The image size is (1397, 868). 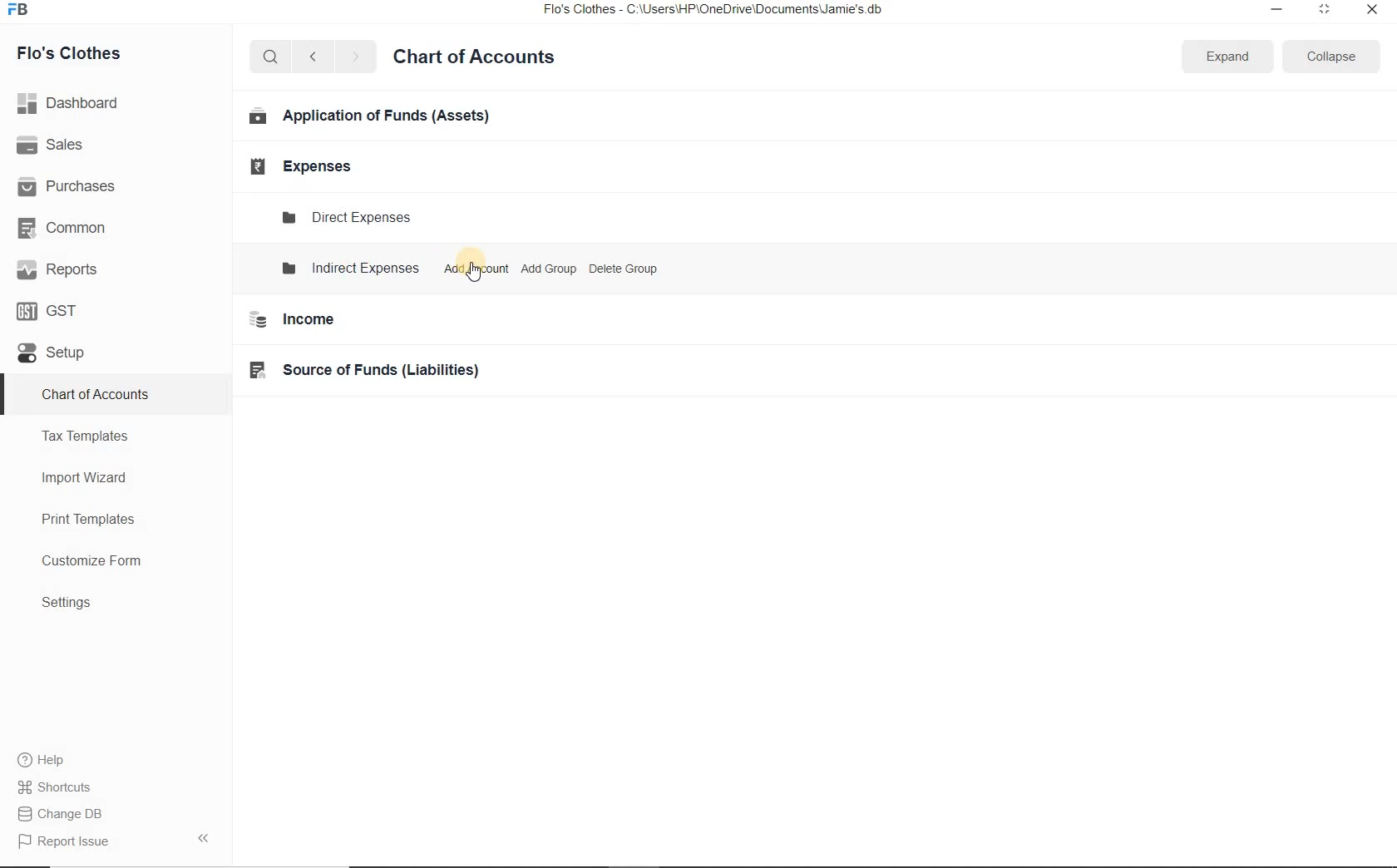 I want to click on cursor, so click(x=475, y=271).